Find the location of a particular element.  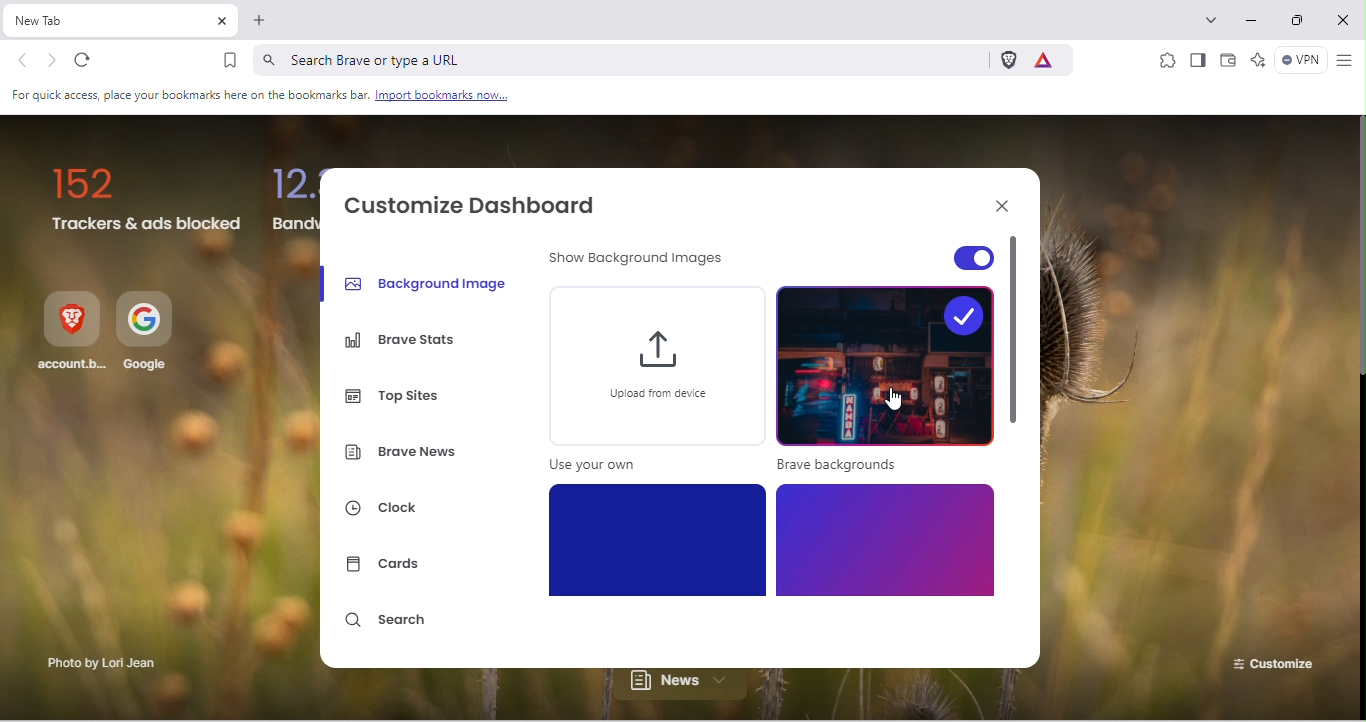

Customize is located at coordinates (1270, 660).